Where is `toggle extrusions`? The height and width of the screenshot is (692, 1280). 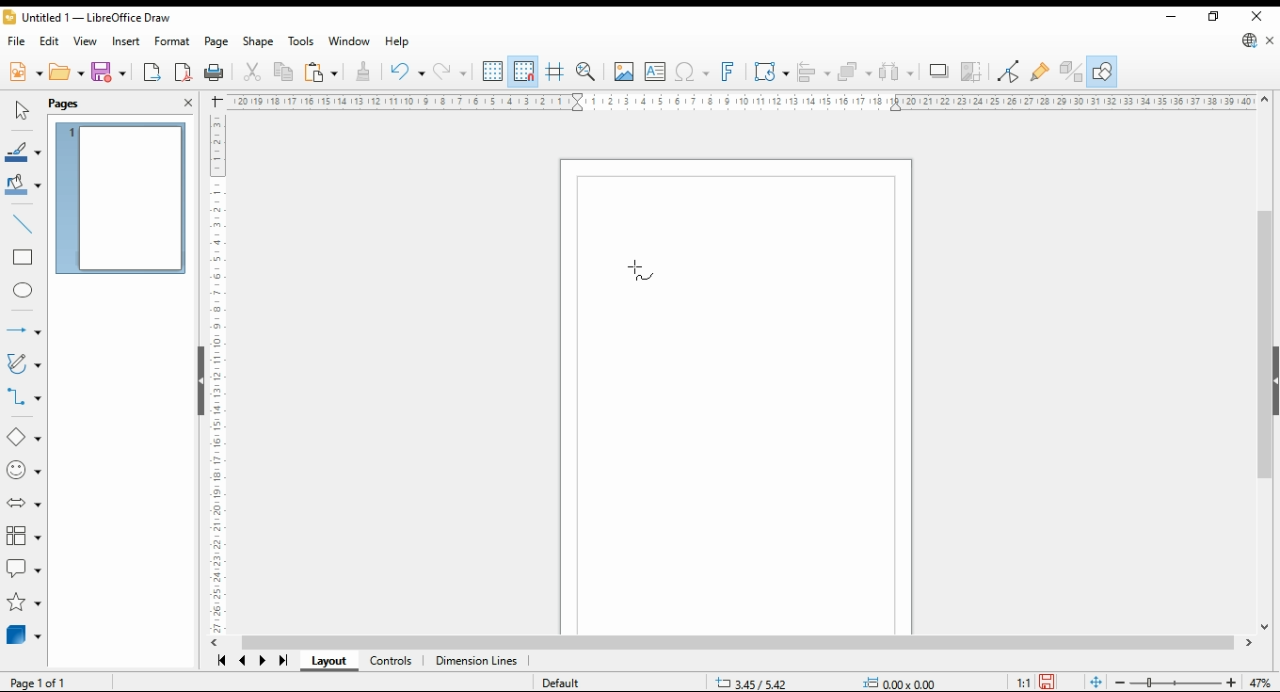 toggle extrusions is located at coordinates (1070, 72).